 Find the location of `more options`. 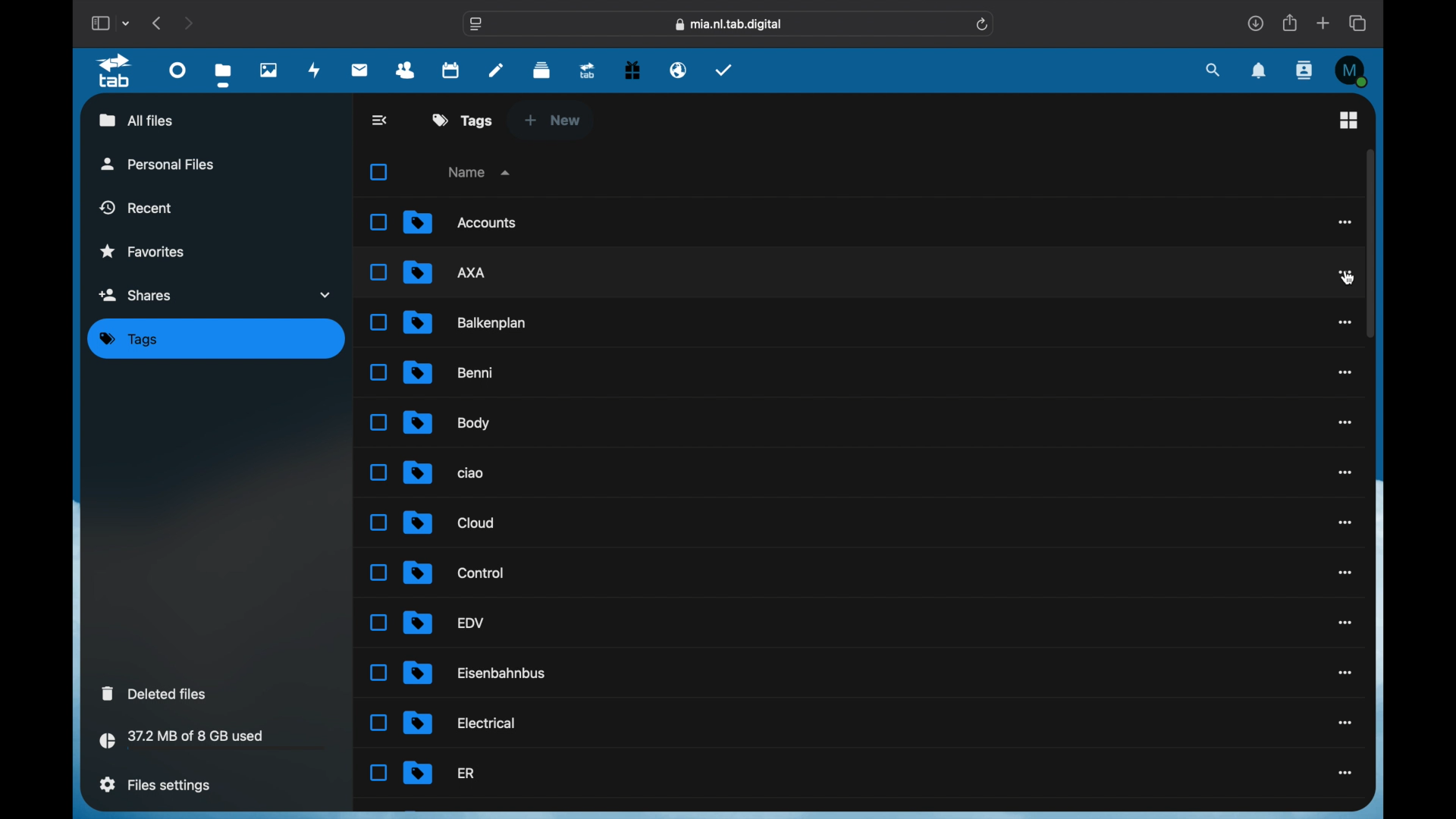

more options is located at coordinates (1345, 773).